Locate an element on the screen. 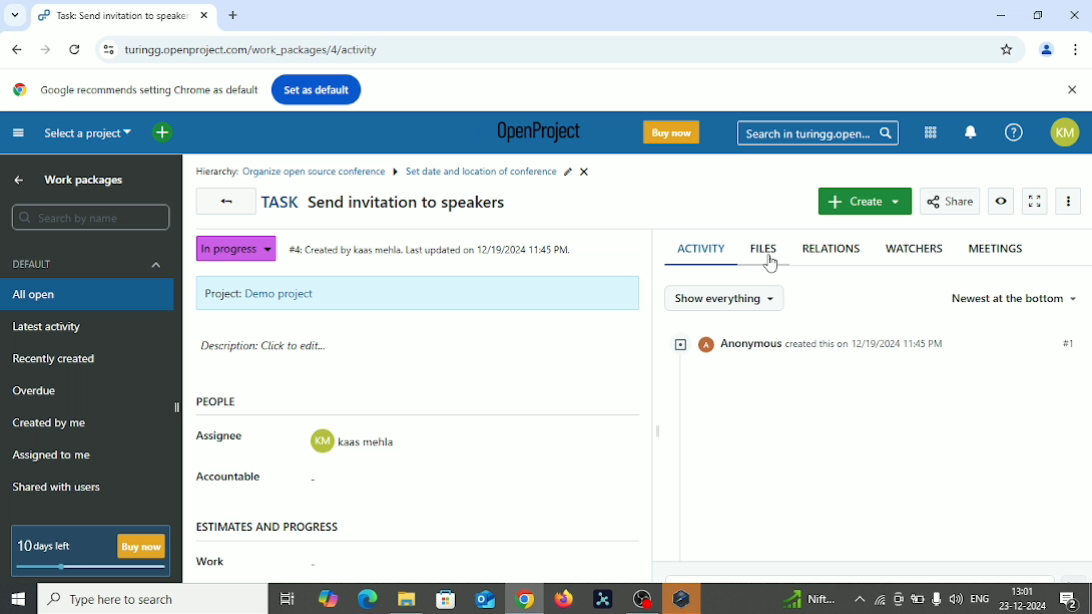  Buy now is located at coordinates (675, 132).